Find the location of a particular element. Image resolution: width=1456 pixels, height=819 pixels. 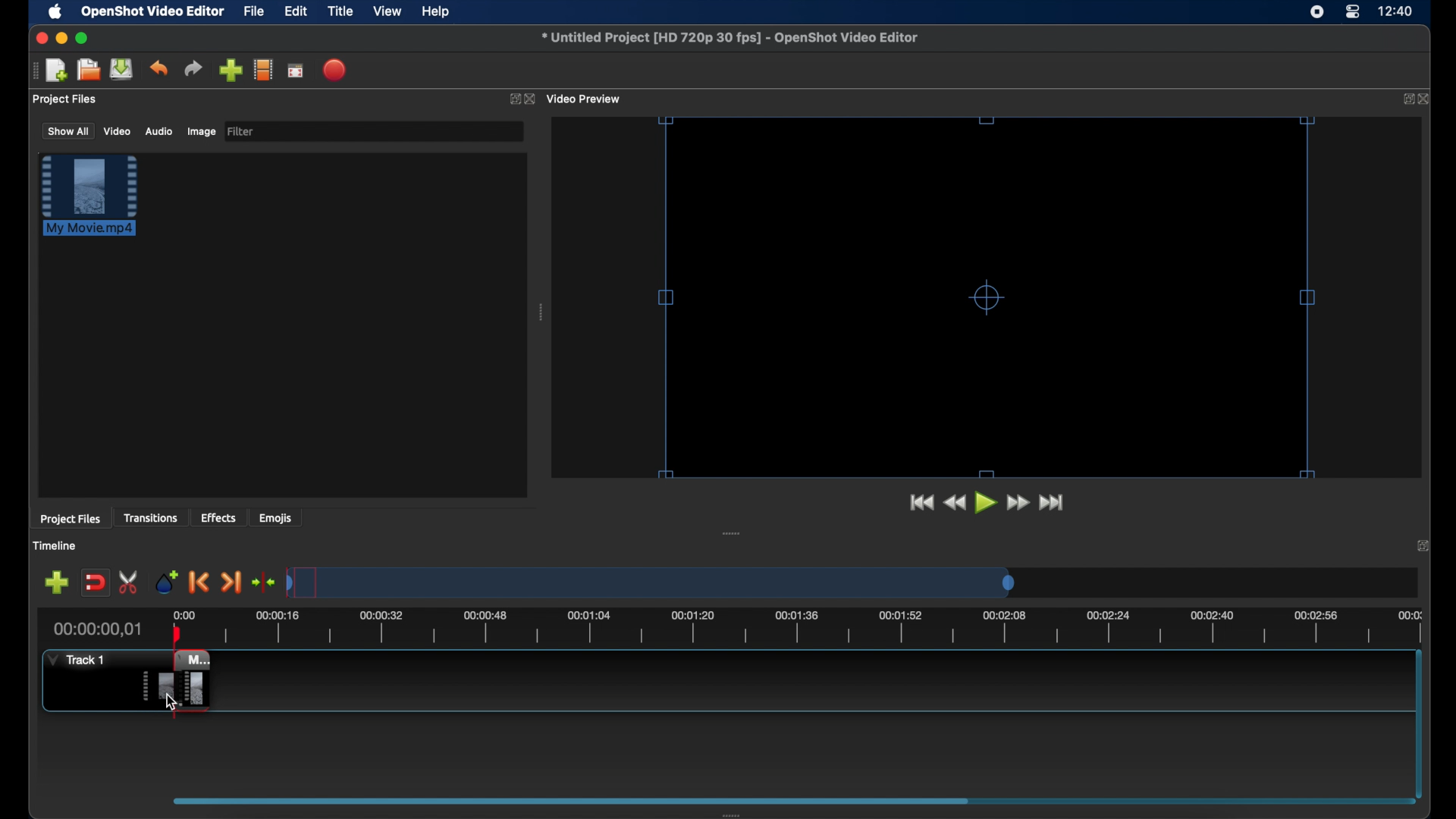

play button is located at coordinates (987, 504).